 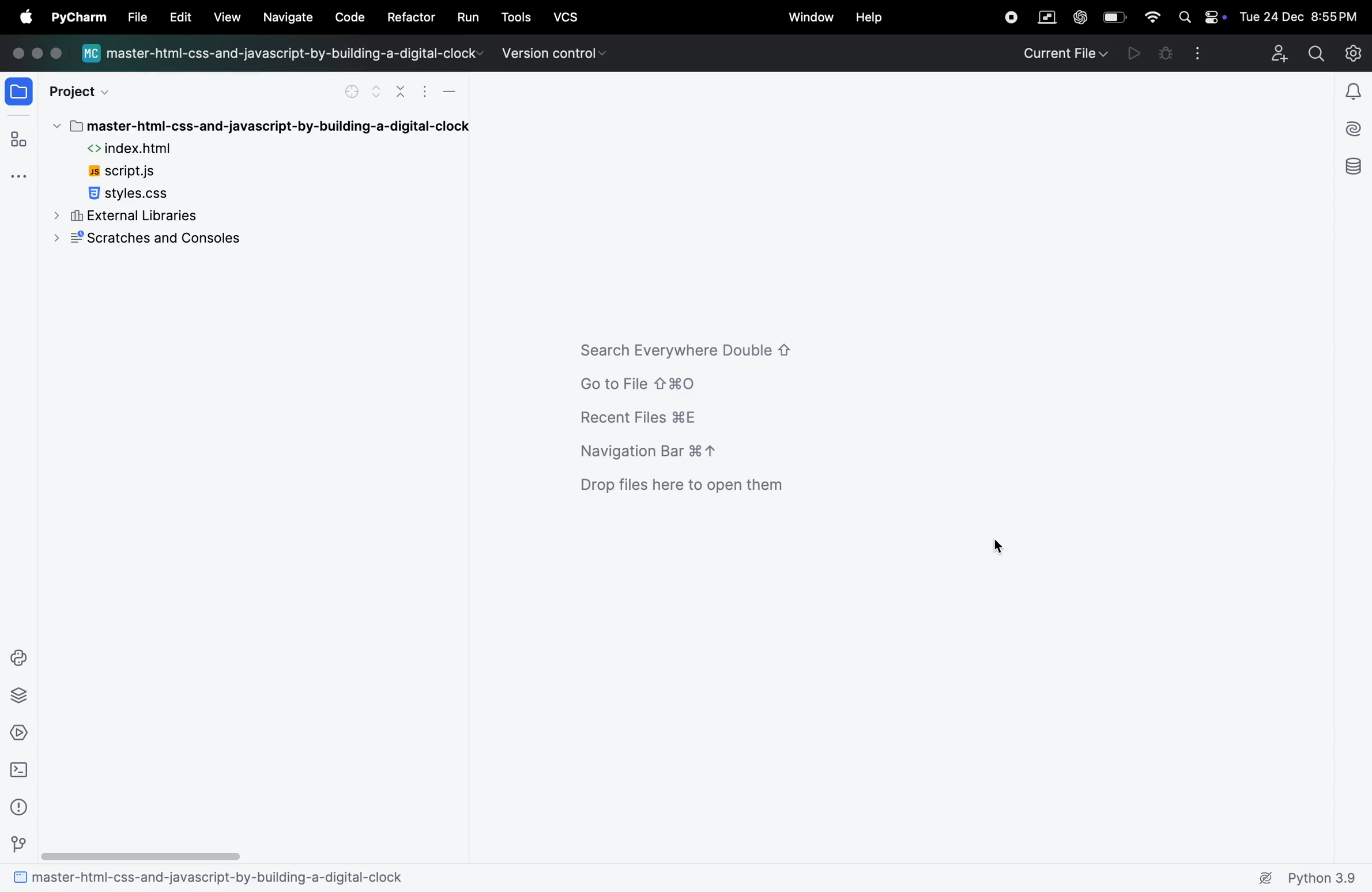 I want to click on run, so click(x=467, y=19).